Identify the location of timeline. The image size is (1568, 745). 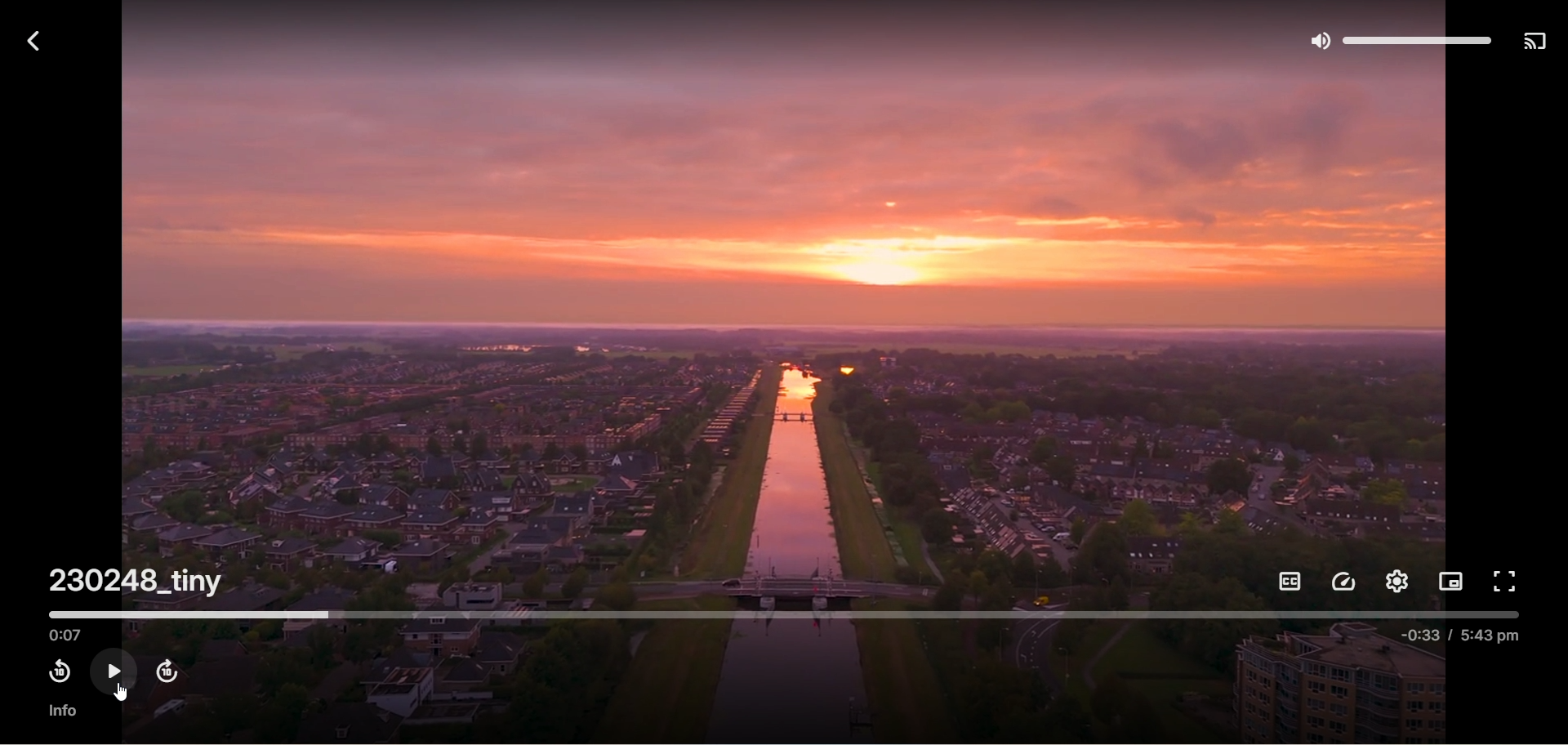
(788, 613).